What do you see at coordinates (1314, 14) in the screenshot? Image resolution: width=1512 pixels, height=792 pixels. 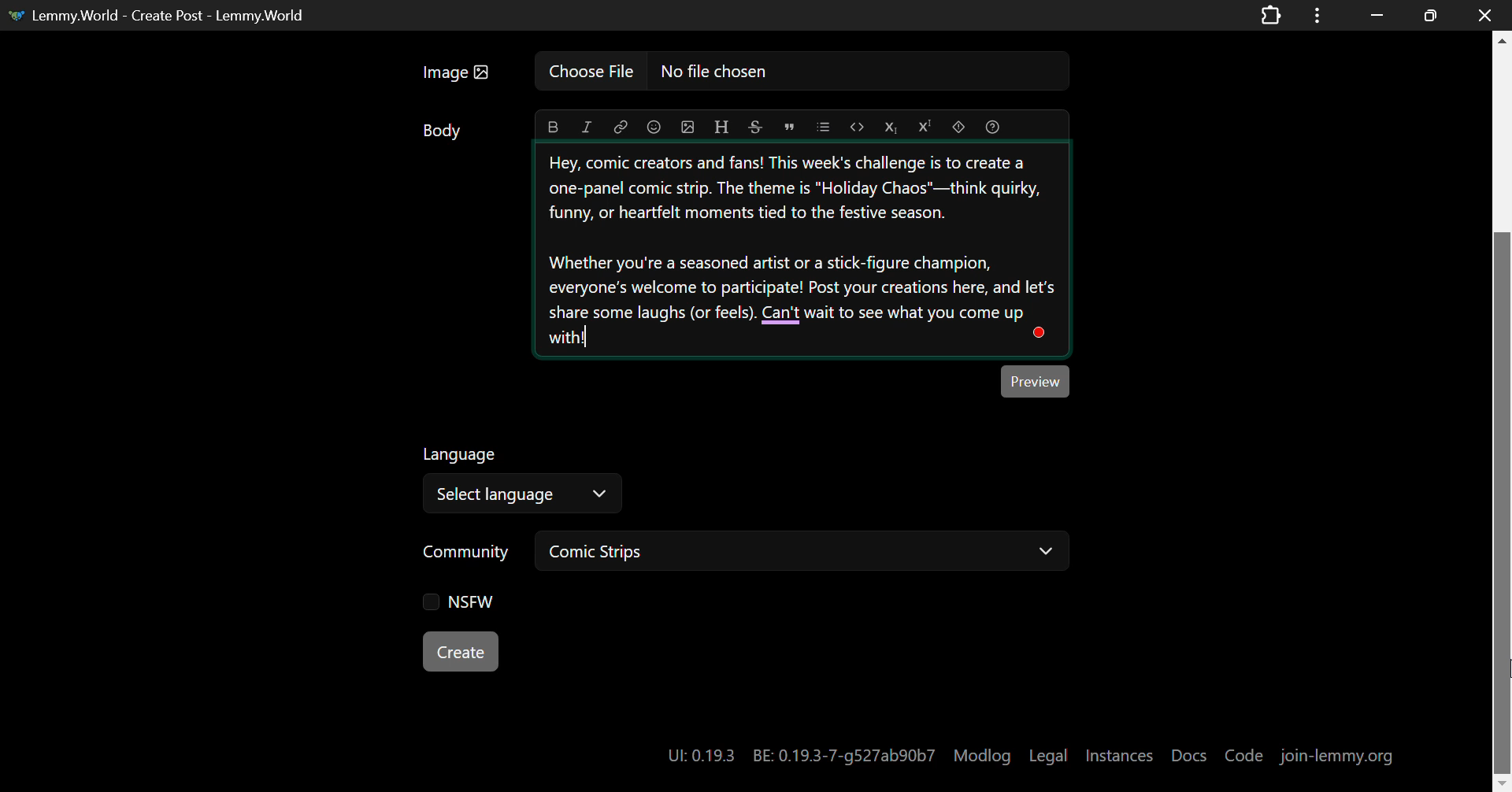 I see `Options Menu` at bounding box center [1314, 14].